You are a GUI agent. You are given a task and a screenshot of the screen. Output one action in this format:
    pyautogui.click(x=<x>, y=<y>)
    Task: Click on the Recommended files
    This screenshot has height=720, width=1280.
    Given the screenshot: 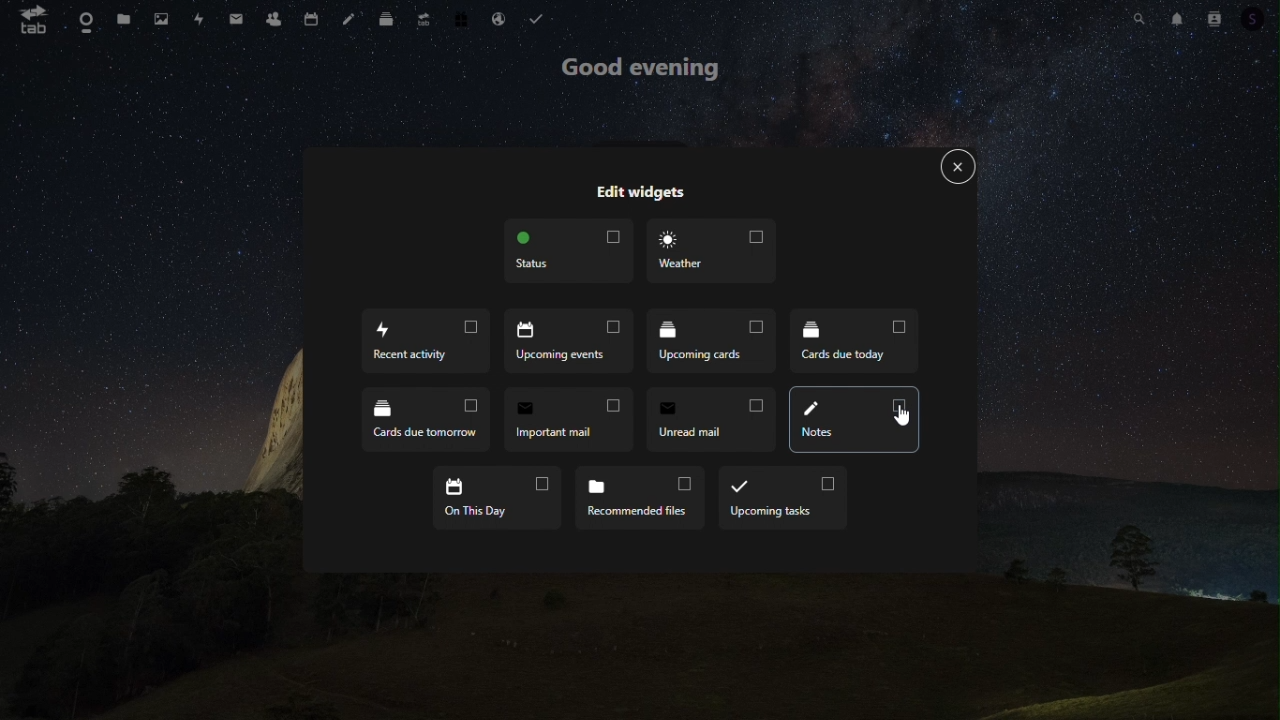 What is the action you would take?
    pyautogui.click(x=637, y=498)
    